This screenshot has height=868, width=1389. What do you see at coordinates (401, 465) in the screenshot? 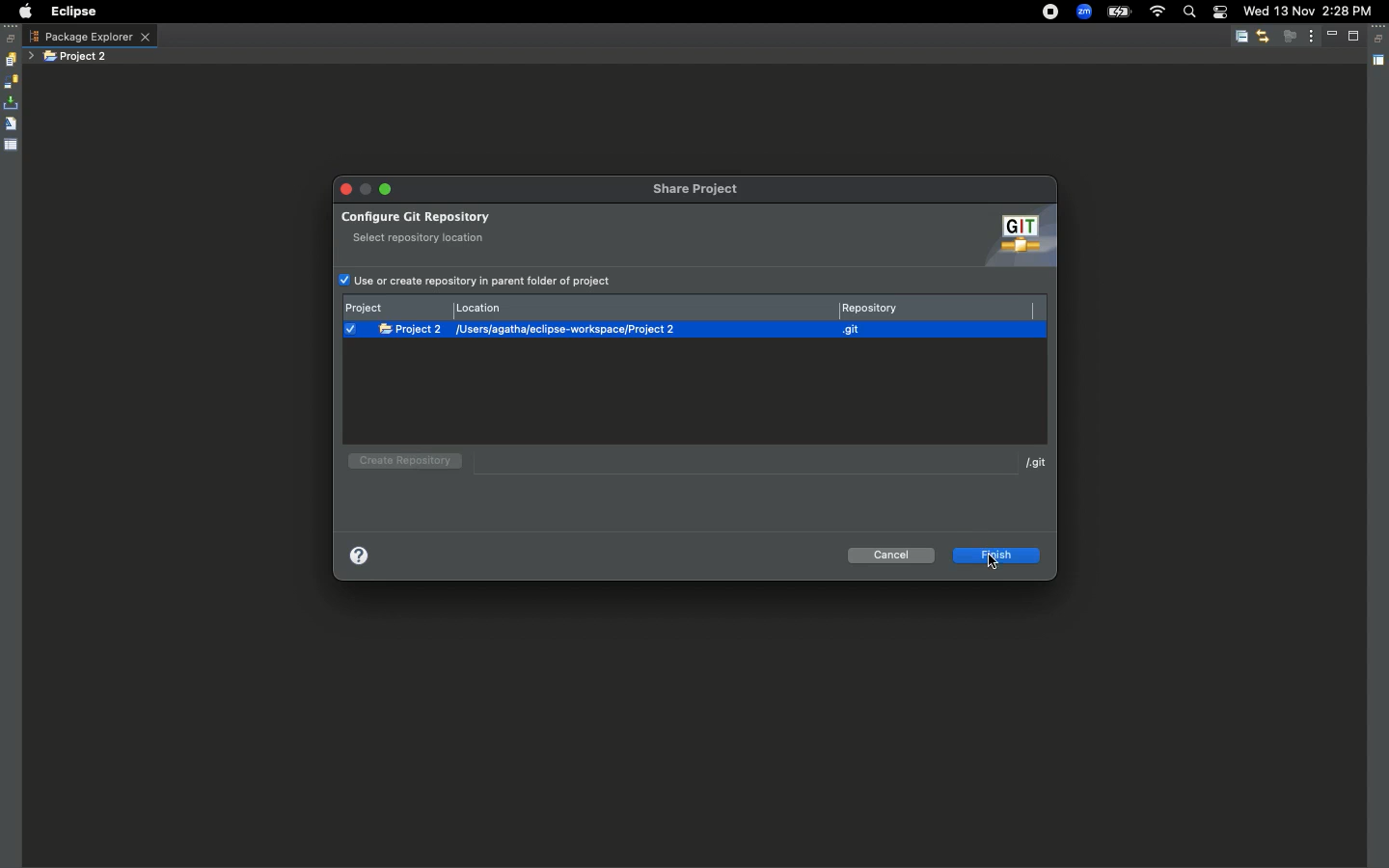
I see `create repository` at bounding box center [401, 465].